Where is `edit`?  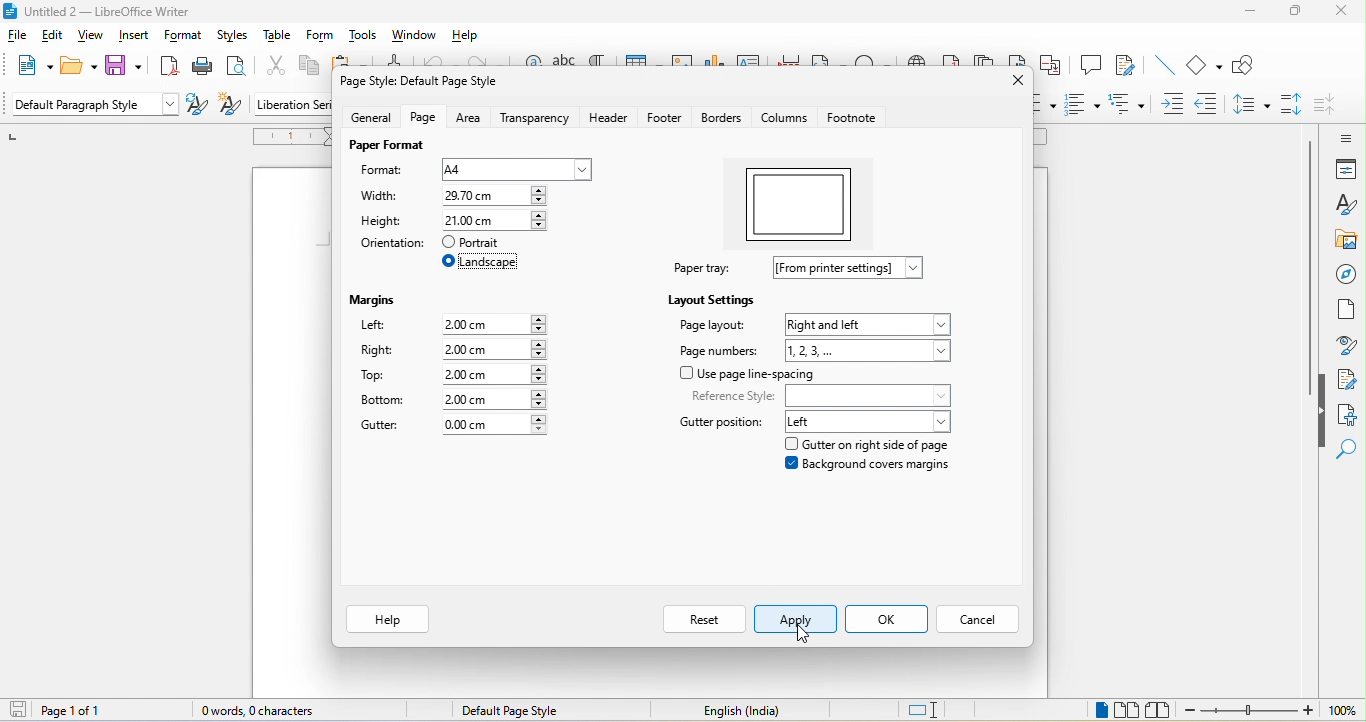 edit is located at coordinates (56, 38).